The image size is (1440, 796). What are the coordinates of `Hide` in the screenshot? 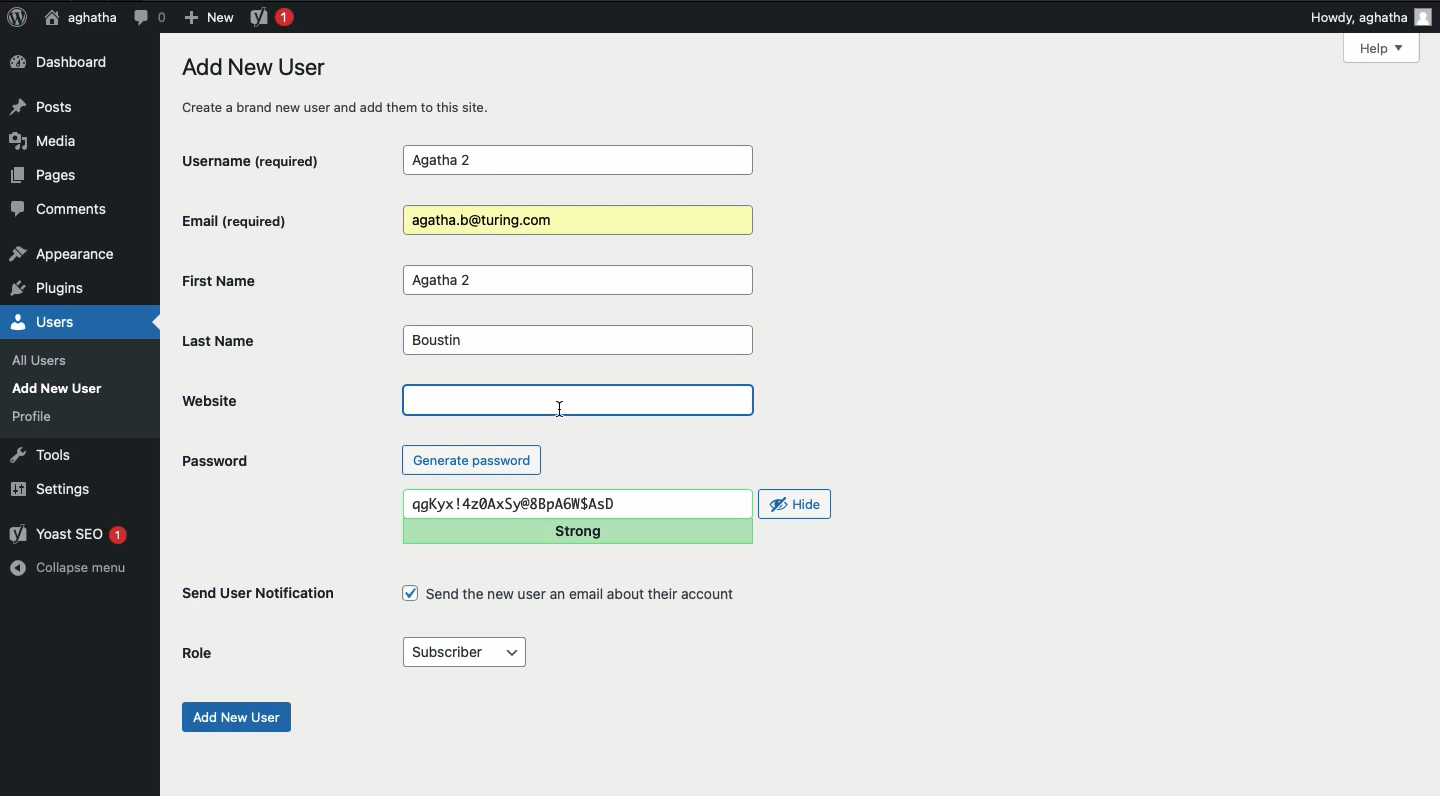 It's located at (796, 504).